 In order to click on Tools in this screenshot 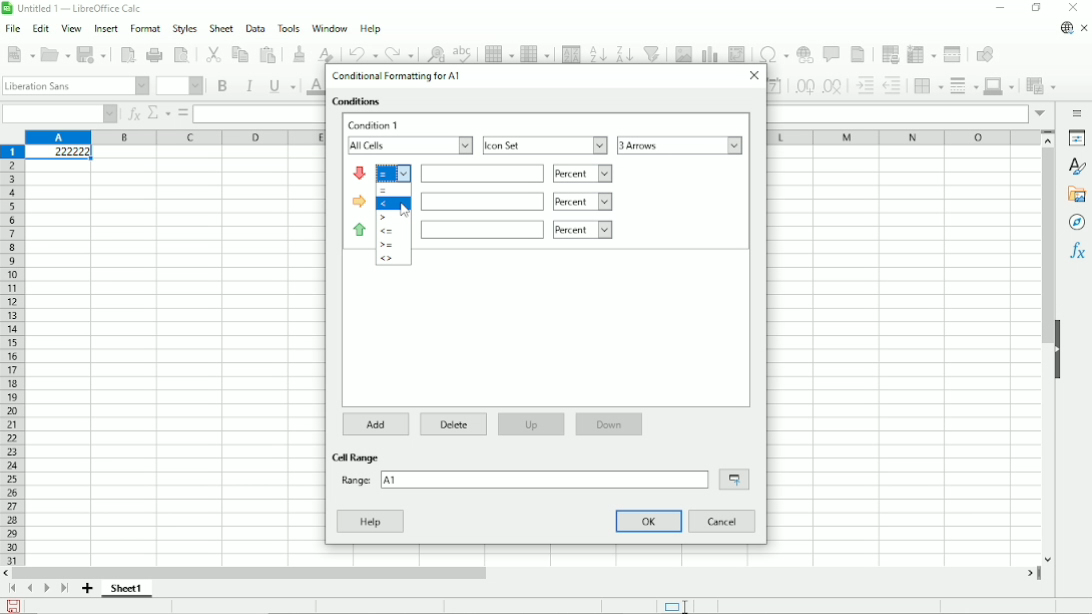, I will do `click(287, 27)`.